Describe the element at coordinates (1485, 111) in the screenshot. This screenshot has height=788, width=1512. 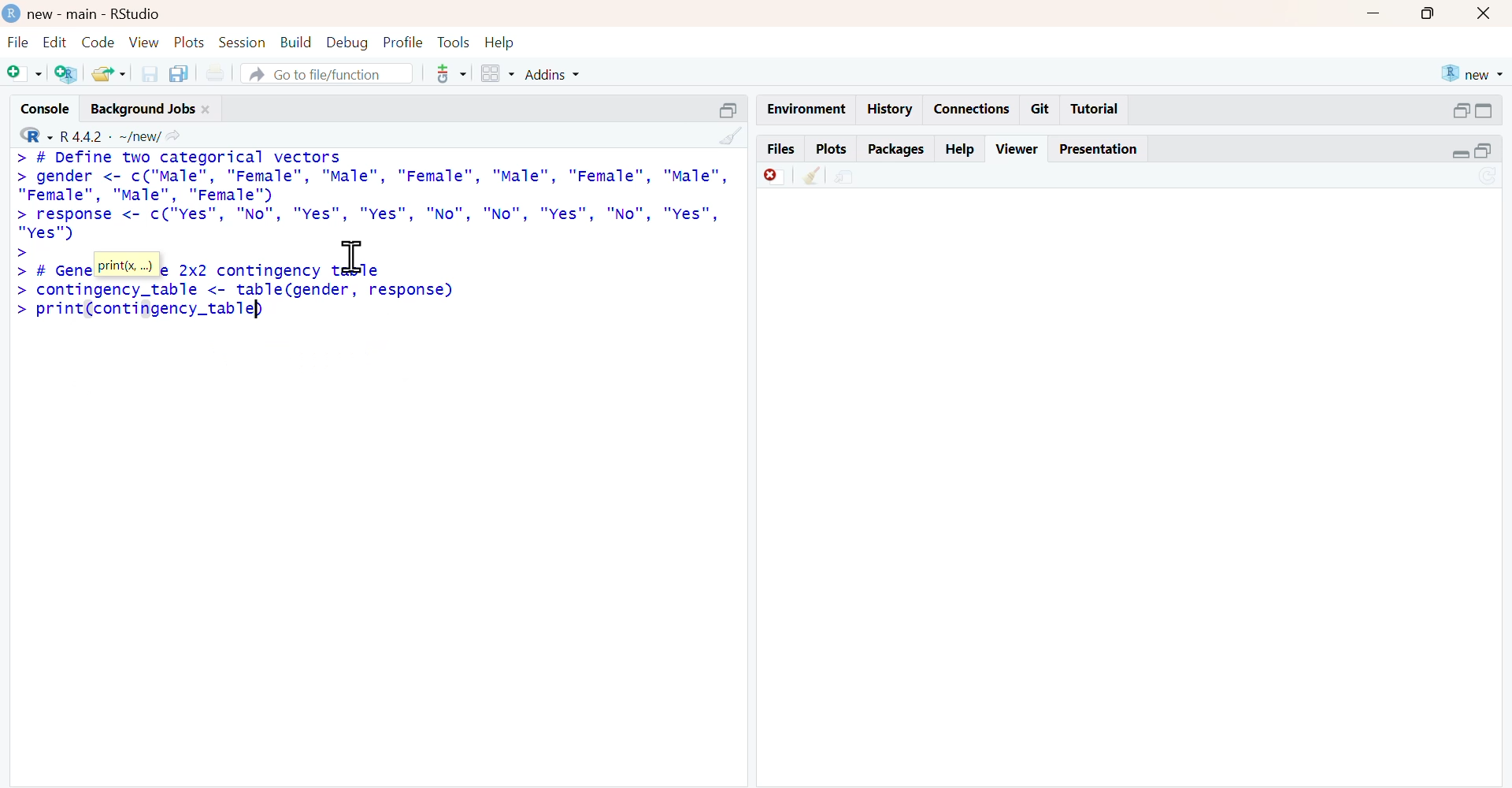
I see `expand/collapse` at that location.